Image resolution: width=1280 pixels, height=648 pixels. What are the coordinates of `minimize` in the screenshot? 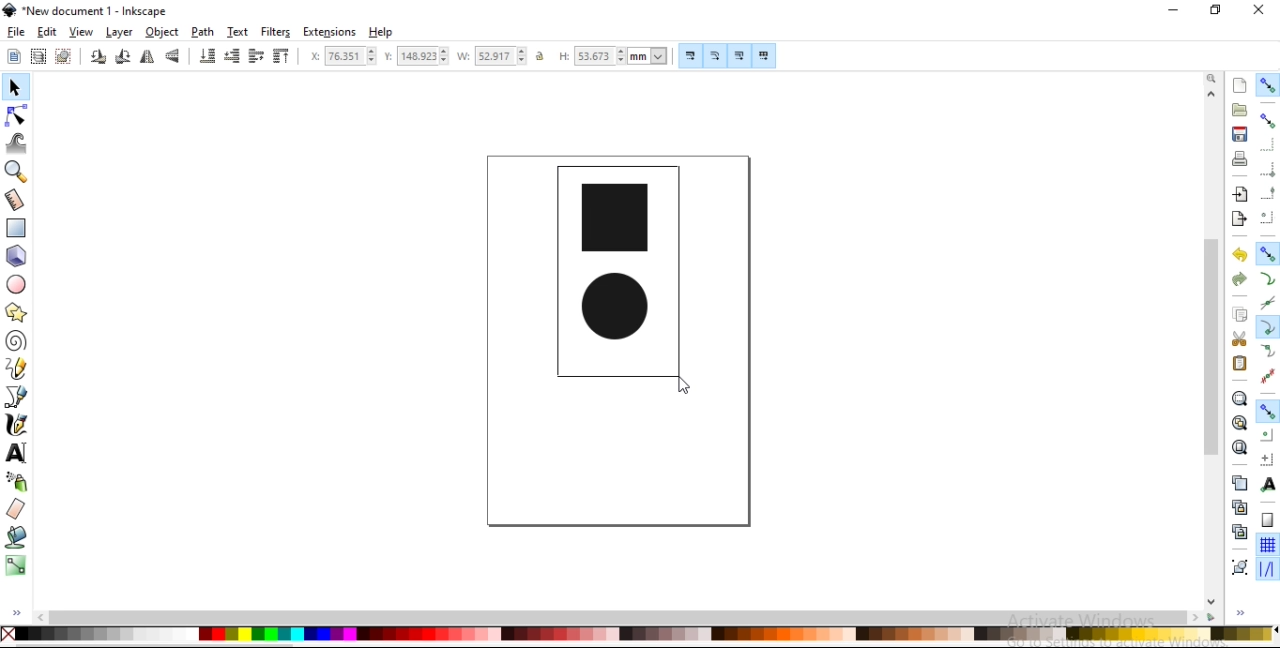 It's located at (1171, 9).